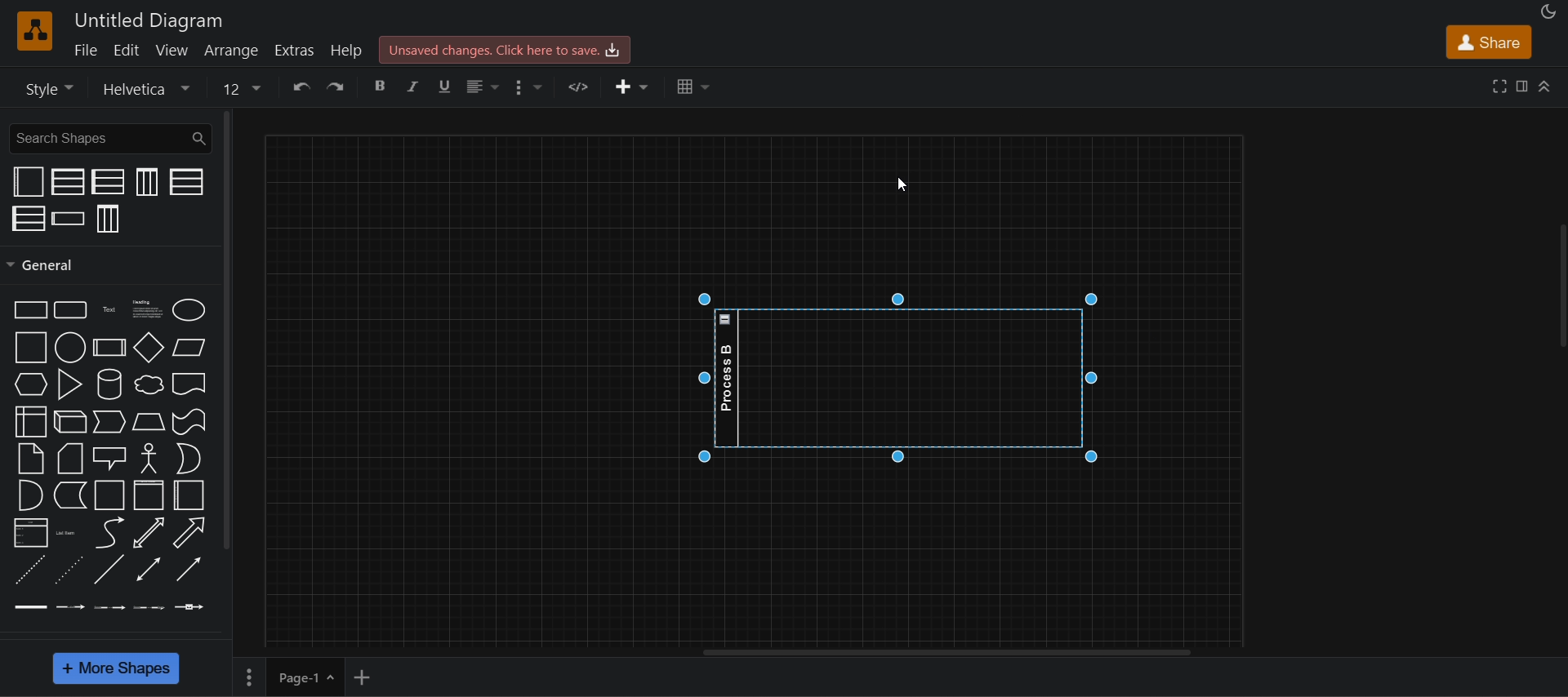 This screenshot has width=1568, height=697. Describe the element at coordinates (903, 371) in the screenshot. I see `horizontal swim lane` at that location.